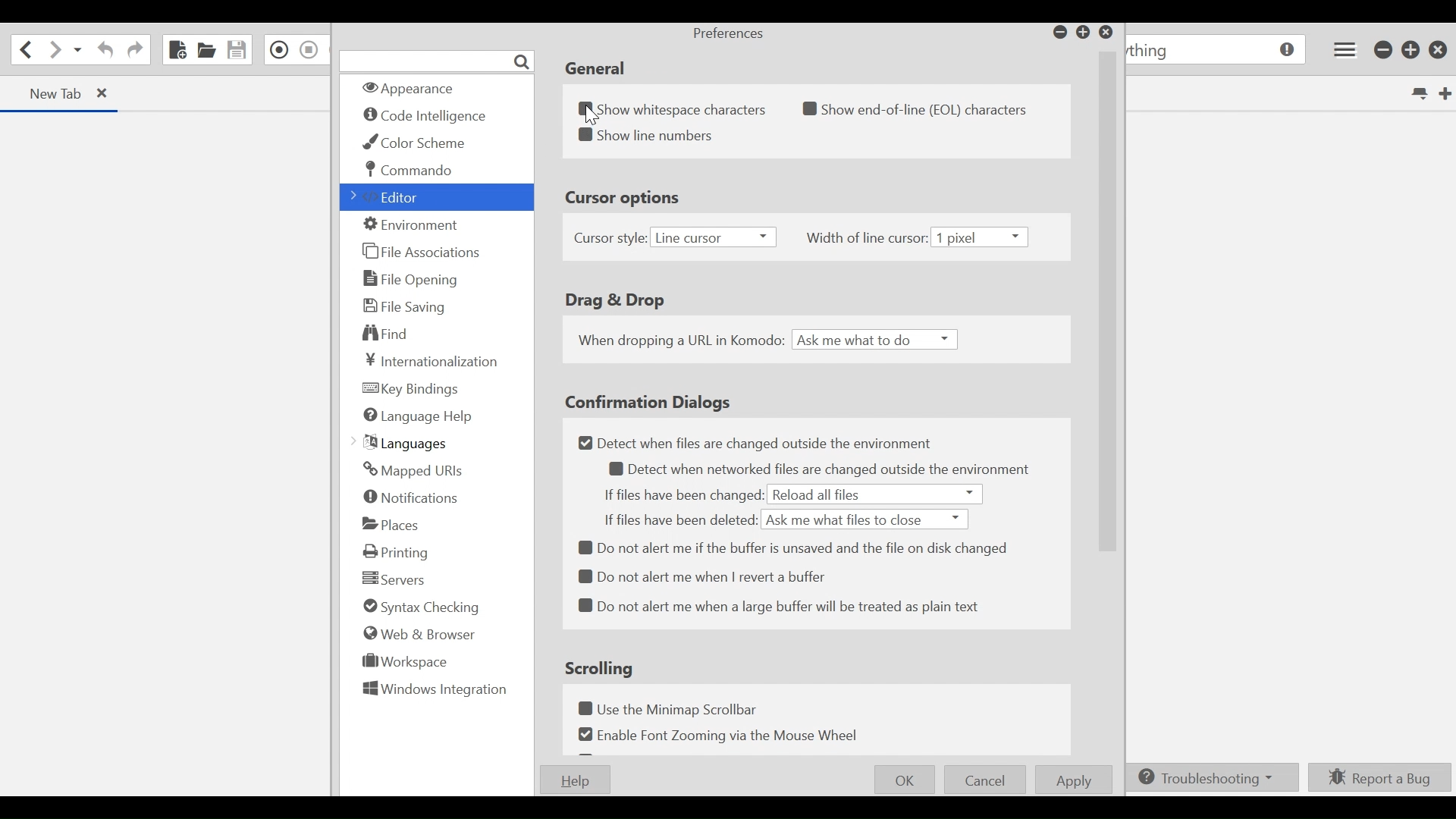 This screenshot has width=1456, height=819. What do you see at coordinates (427, 360) in the screenshot?
I see `Internationalization` at bounding box center [427, 360].